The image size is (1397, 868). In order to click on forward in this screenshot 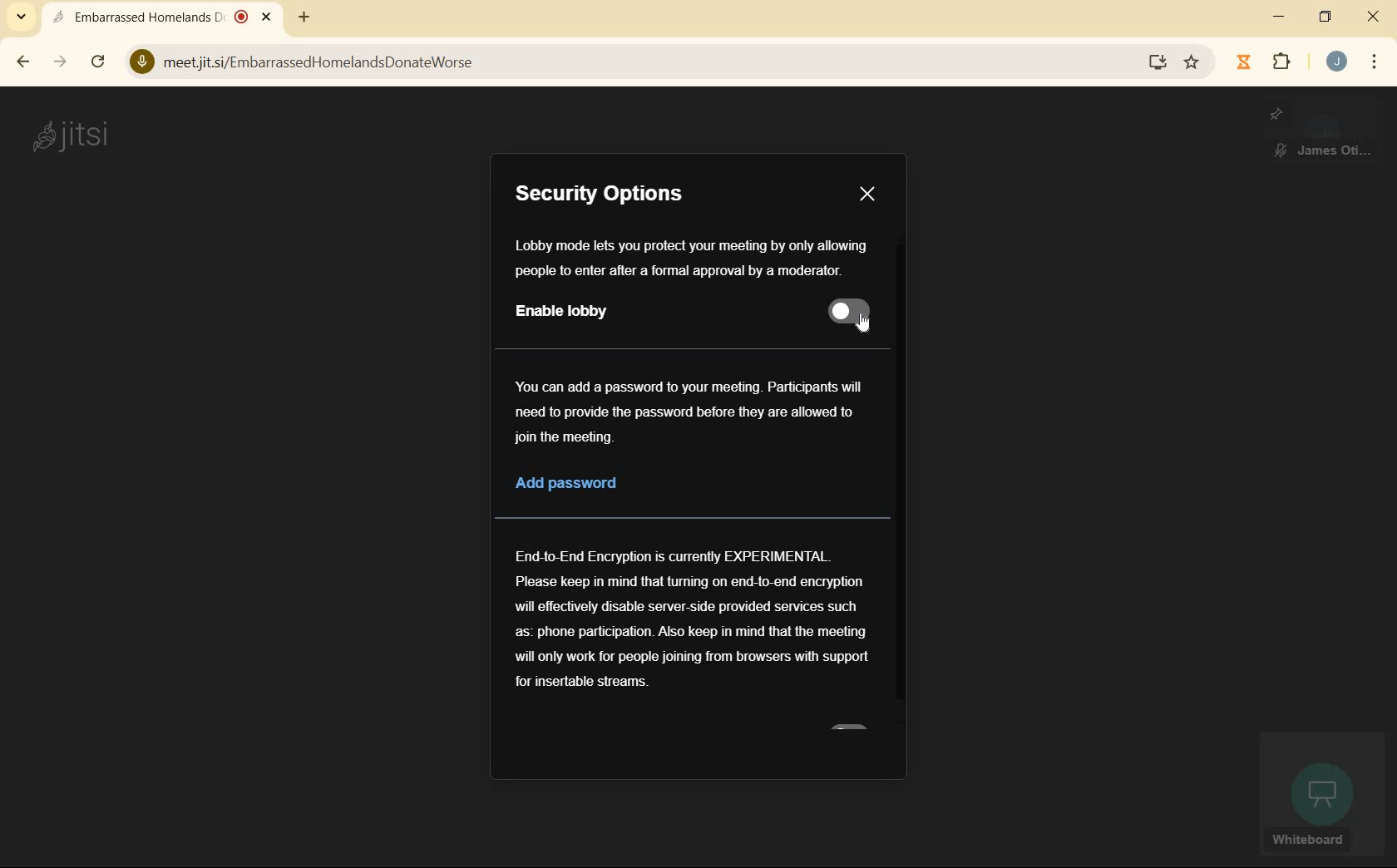, I will do `click(59, 62)`.